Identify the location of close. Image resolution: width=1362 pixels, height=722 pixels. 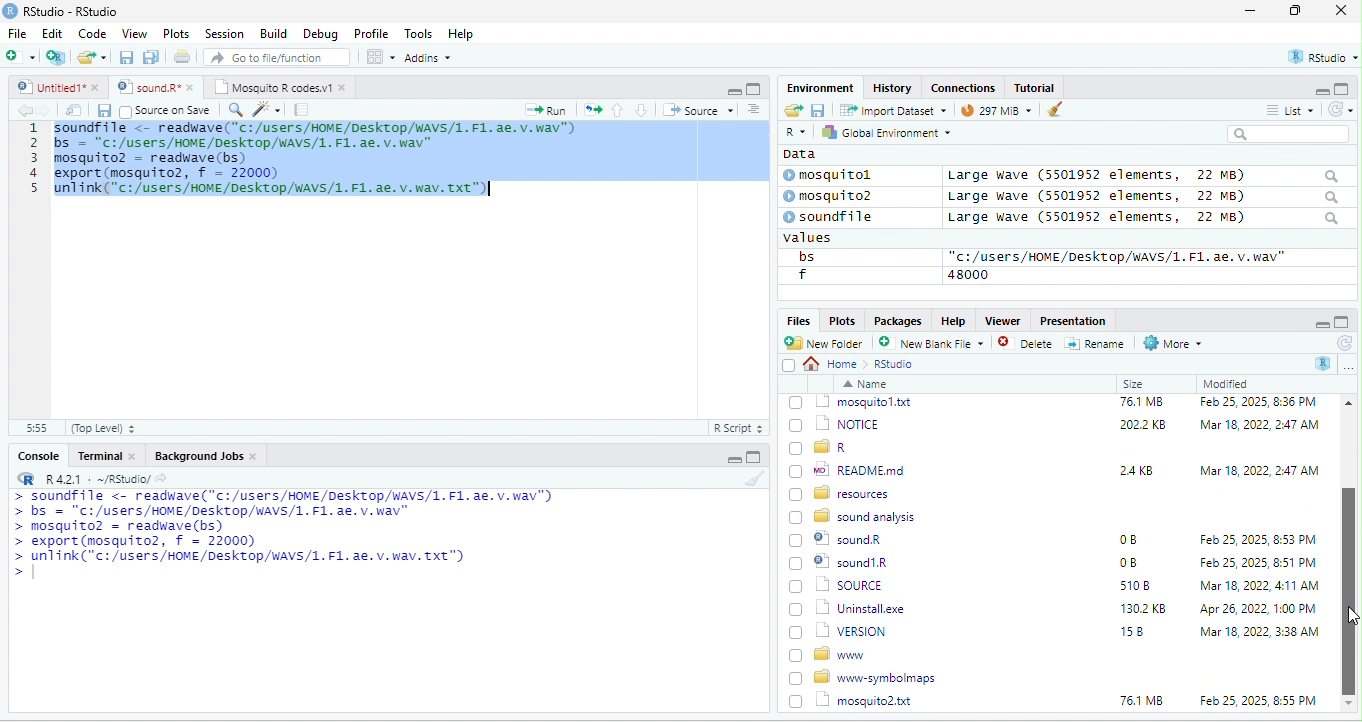
(1341, 12).